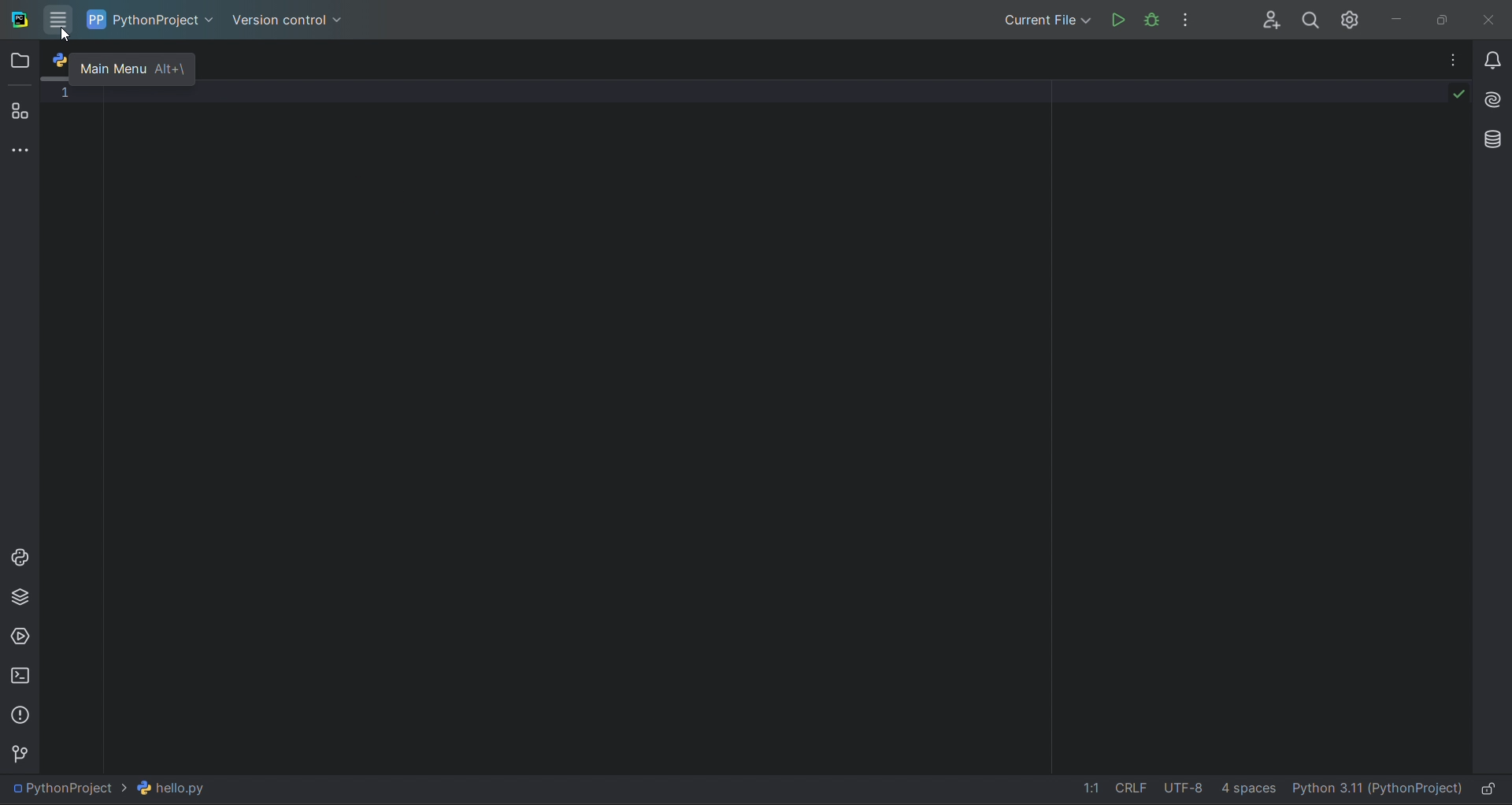 The image size is (1512, 805). I want to click on options, so click(1192, 18).